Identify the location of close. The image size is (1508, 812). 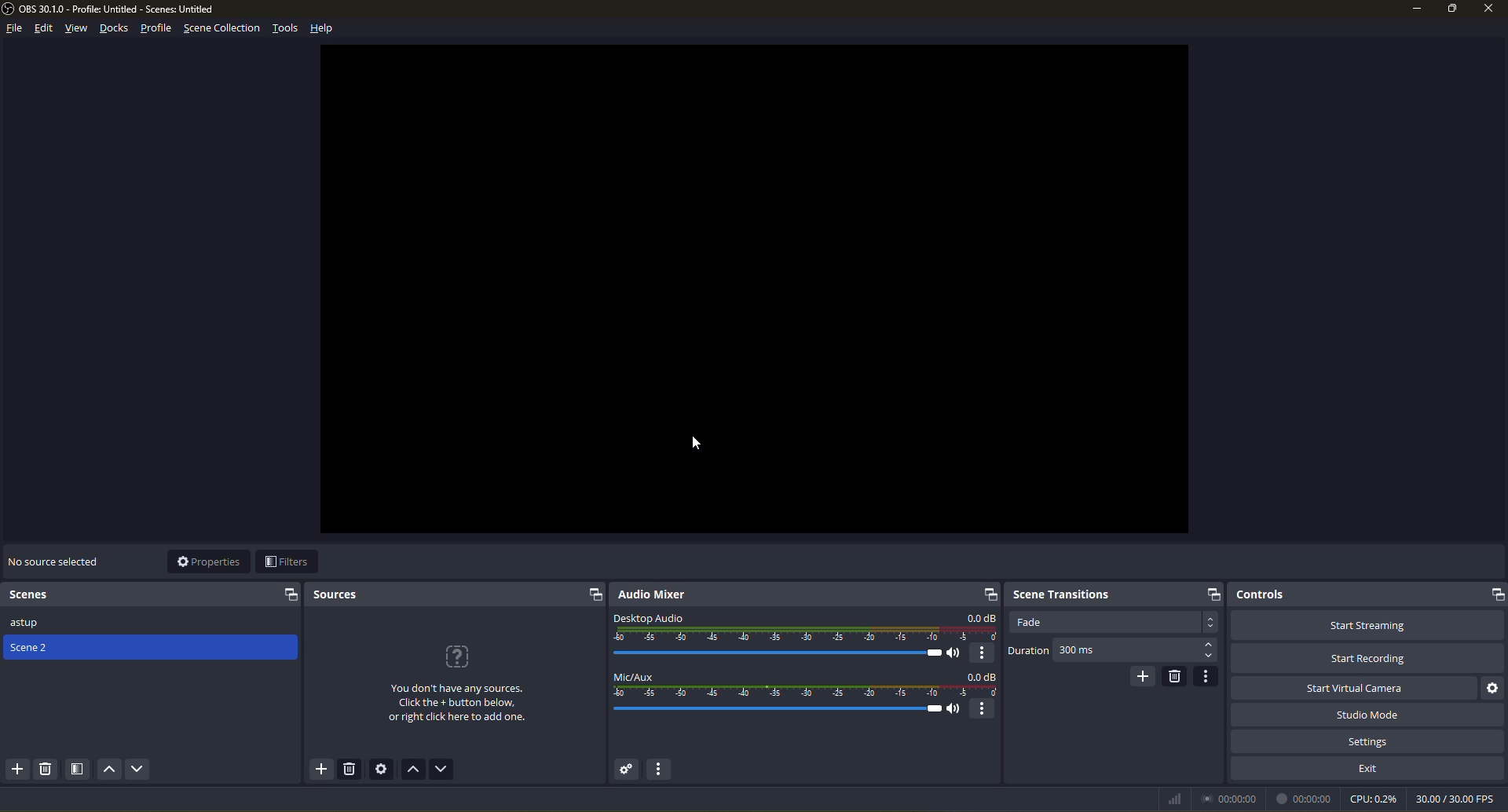
(1489, 9).